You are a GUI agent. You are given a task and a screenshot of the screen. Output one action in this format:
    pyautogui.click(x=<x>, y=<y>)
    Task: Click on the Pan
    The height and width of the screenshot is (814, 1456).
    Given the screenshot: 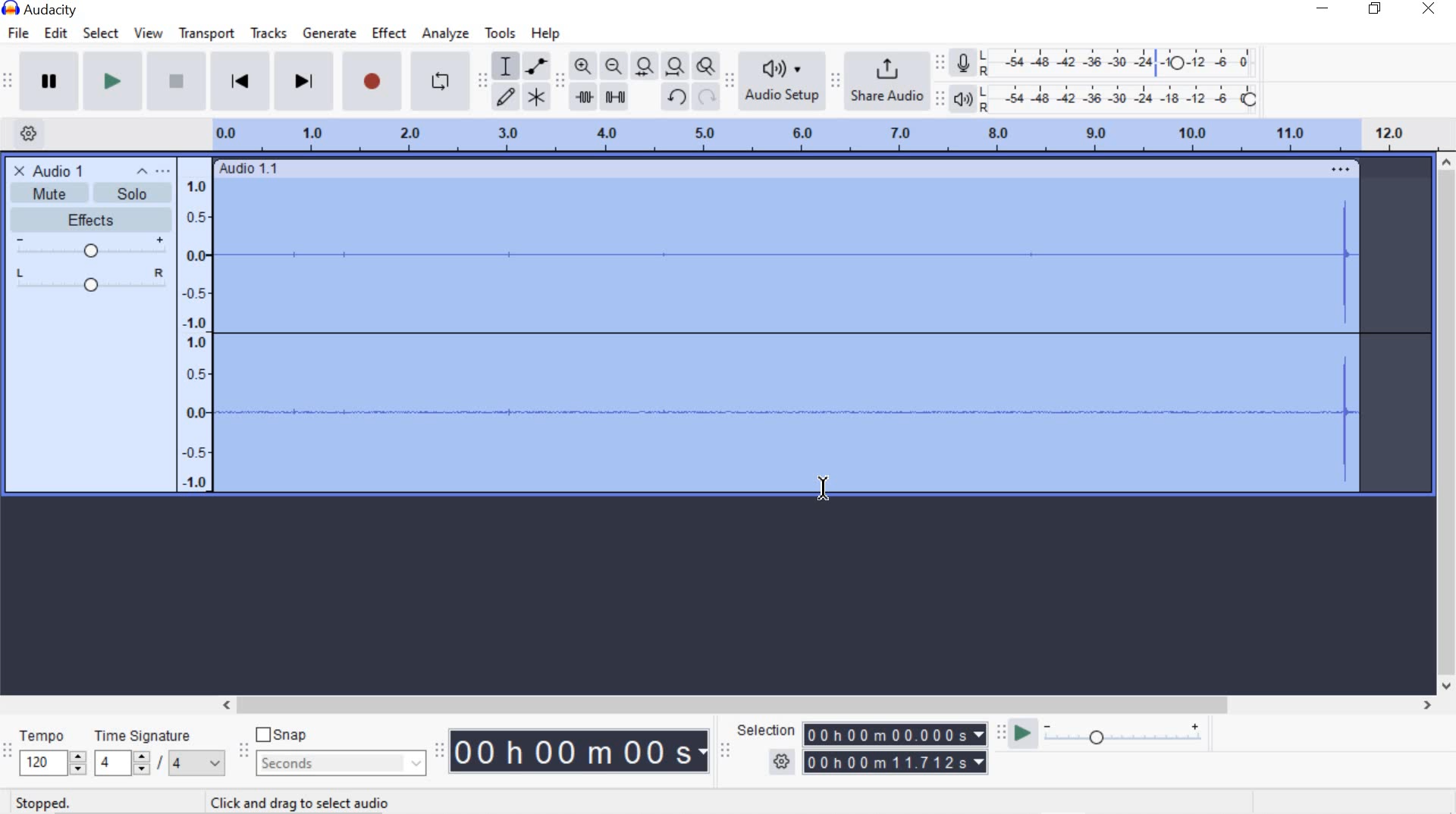 What is the action you would take?
    pyautogui.click(x=89, y=282)
    